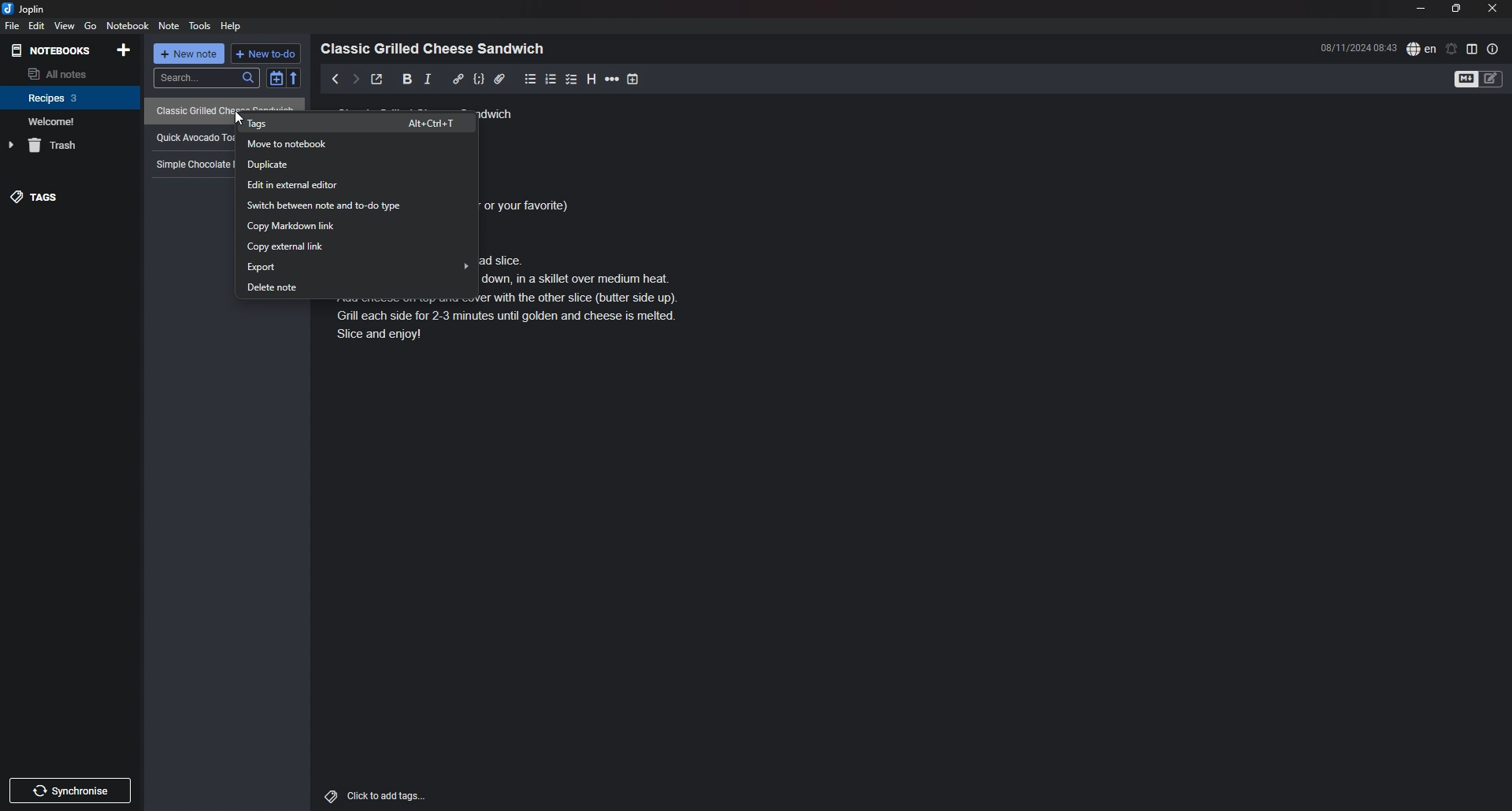 The height and width of the screenshot is (811, 1512). Describe the element at coordinates (458, 78) in the screenshot. I see `hyperlink` at that location.